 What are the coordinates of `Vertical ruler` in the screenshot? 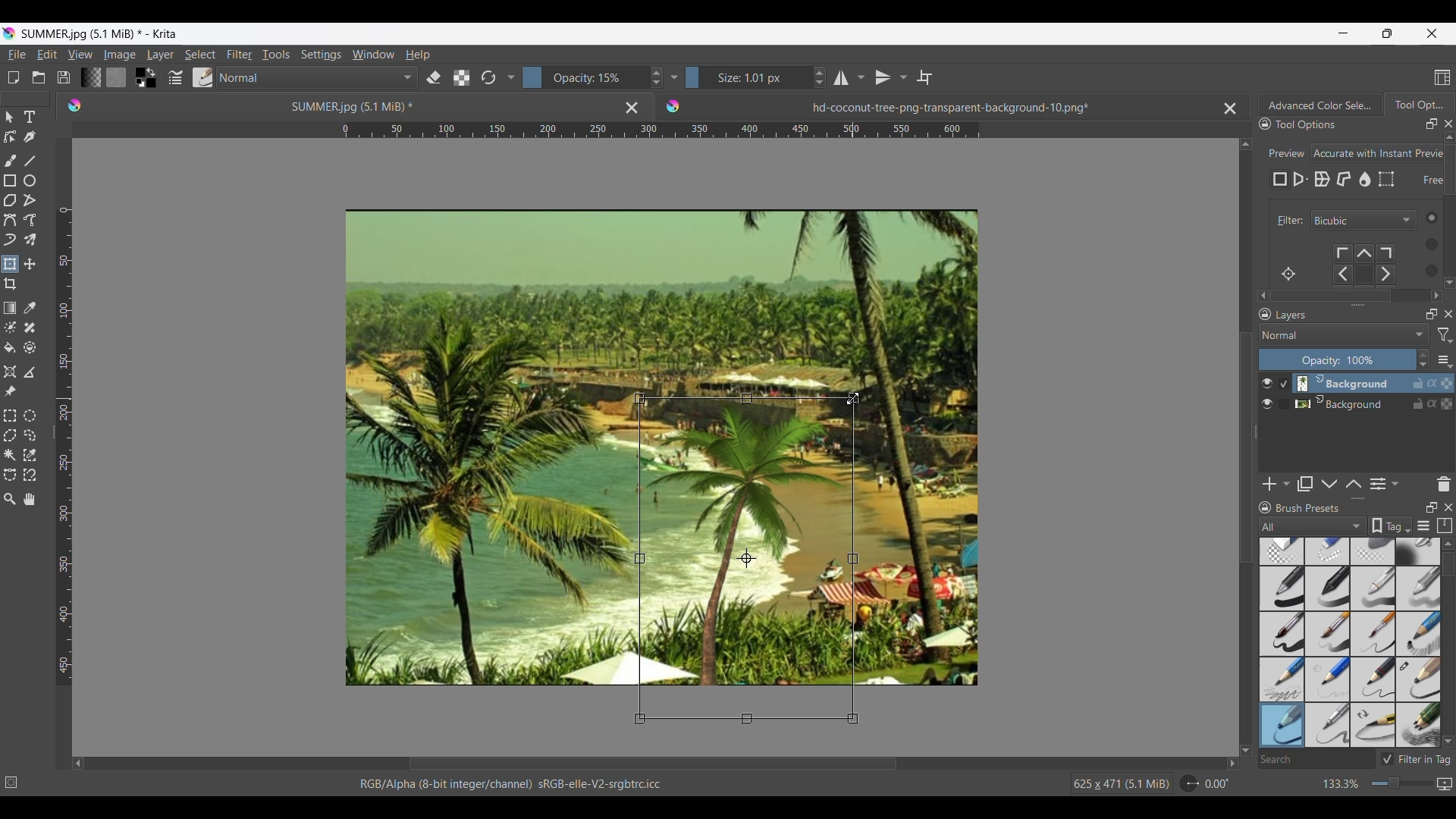 It's located at (64, 447).